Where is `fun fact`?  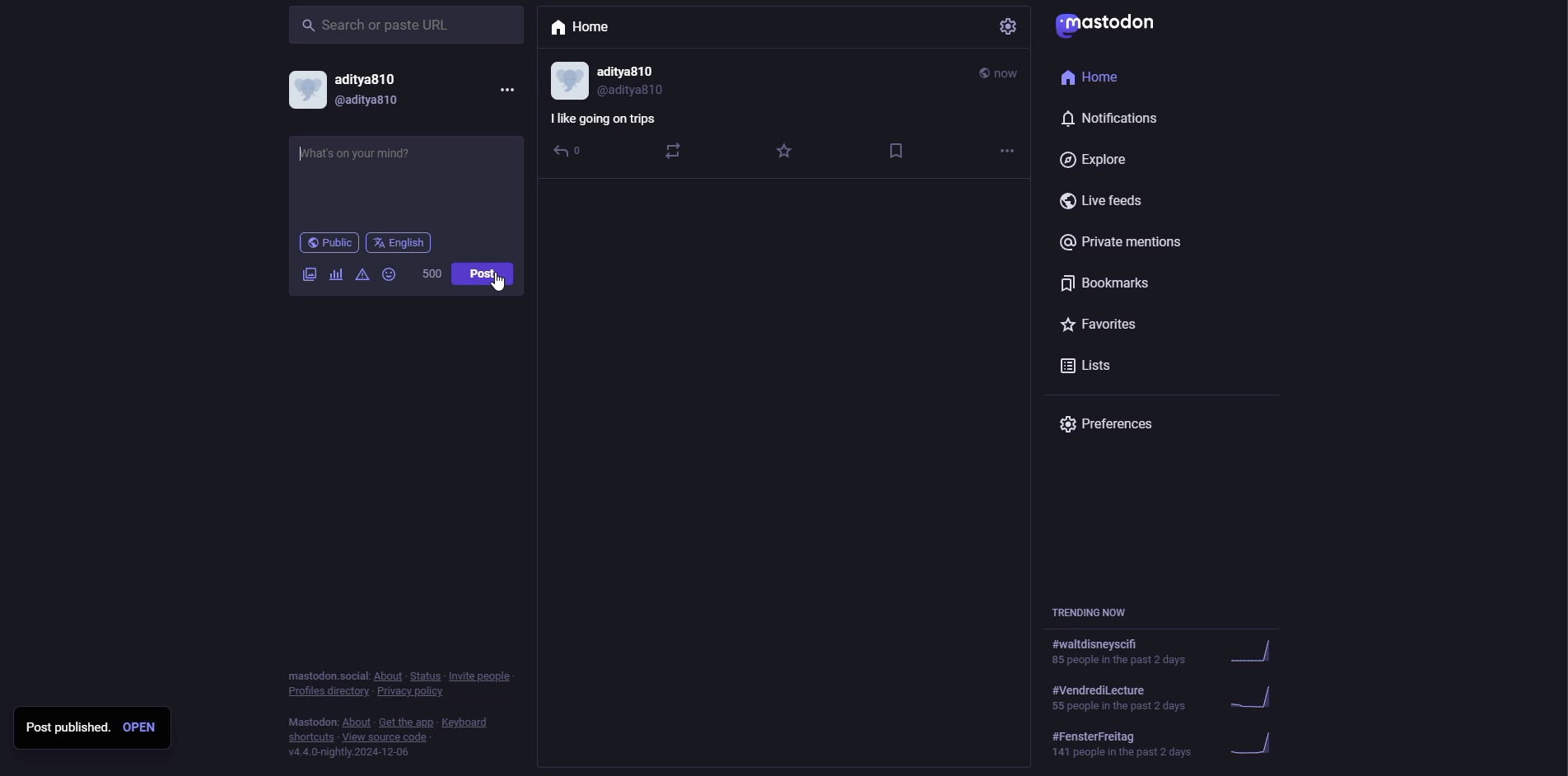
fun fact is located at coordinates (379, 163).